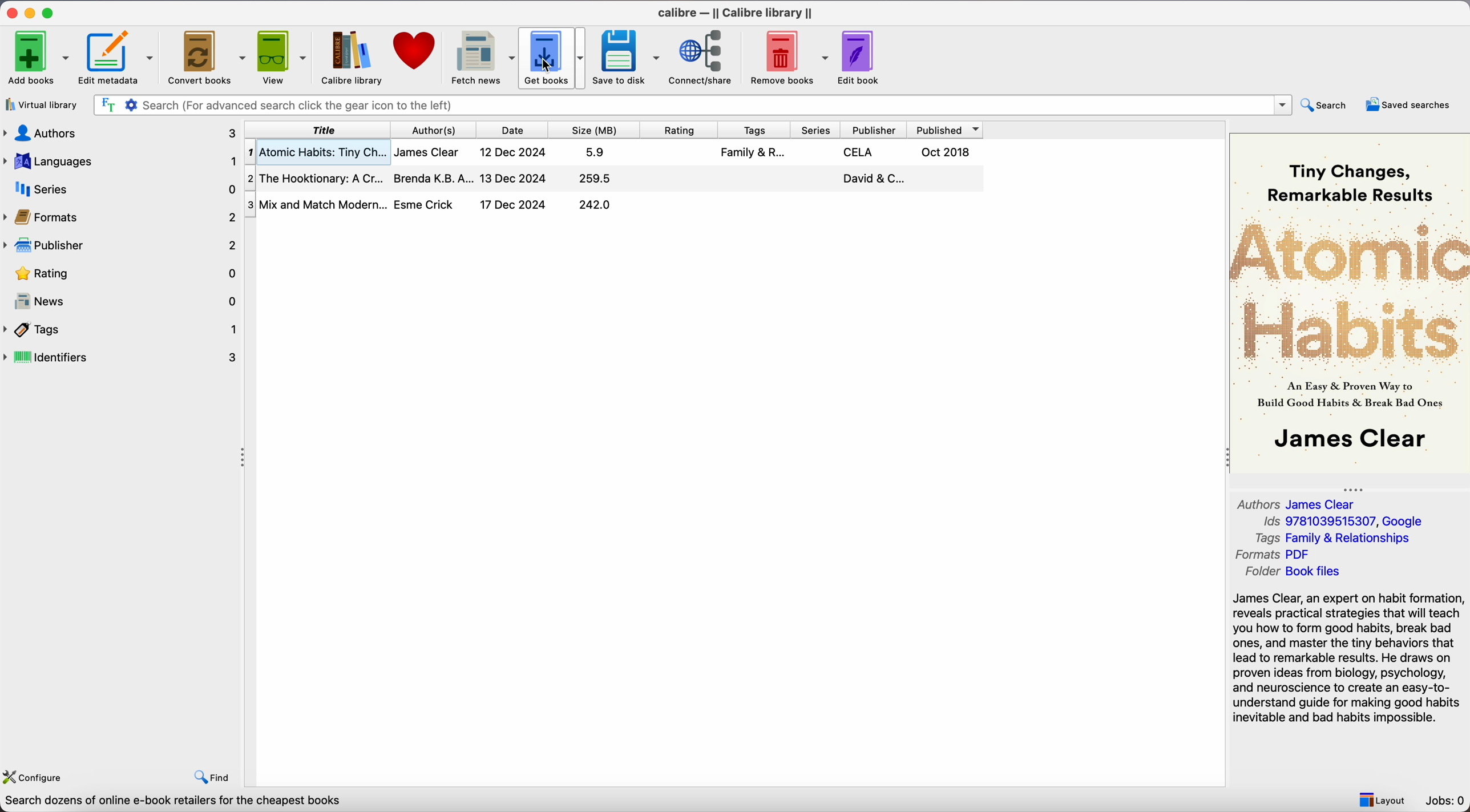  Describe the element at coordinates (426, 152) in the screenshot. I see `James Clear` at that location.